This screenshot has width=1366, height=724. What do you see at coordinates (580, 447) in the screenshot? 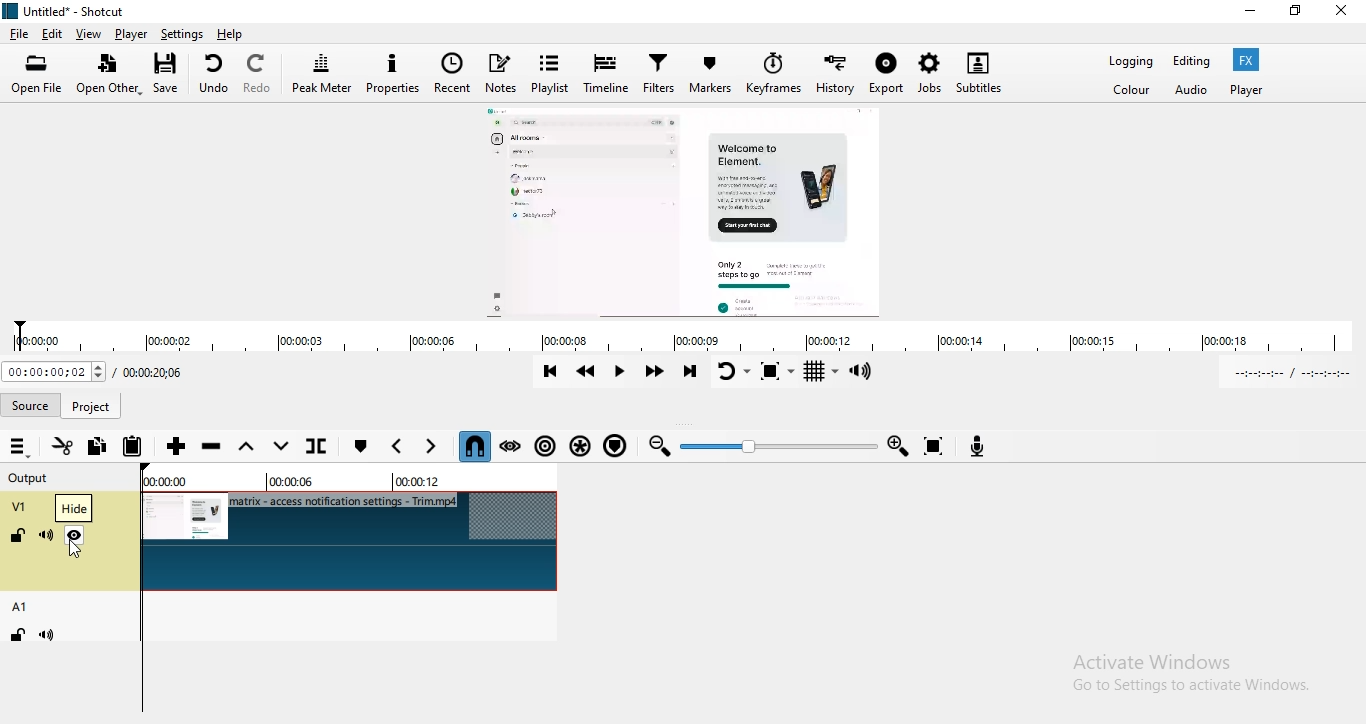
I see `Ripple all tracks` at bounding box center [580, 447].